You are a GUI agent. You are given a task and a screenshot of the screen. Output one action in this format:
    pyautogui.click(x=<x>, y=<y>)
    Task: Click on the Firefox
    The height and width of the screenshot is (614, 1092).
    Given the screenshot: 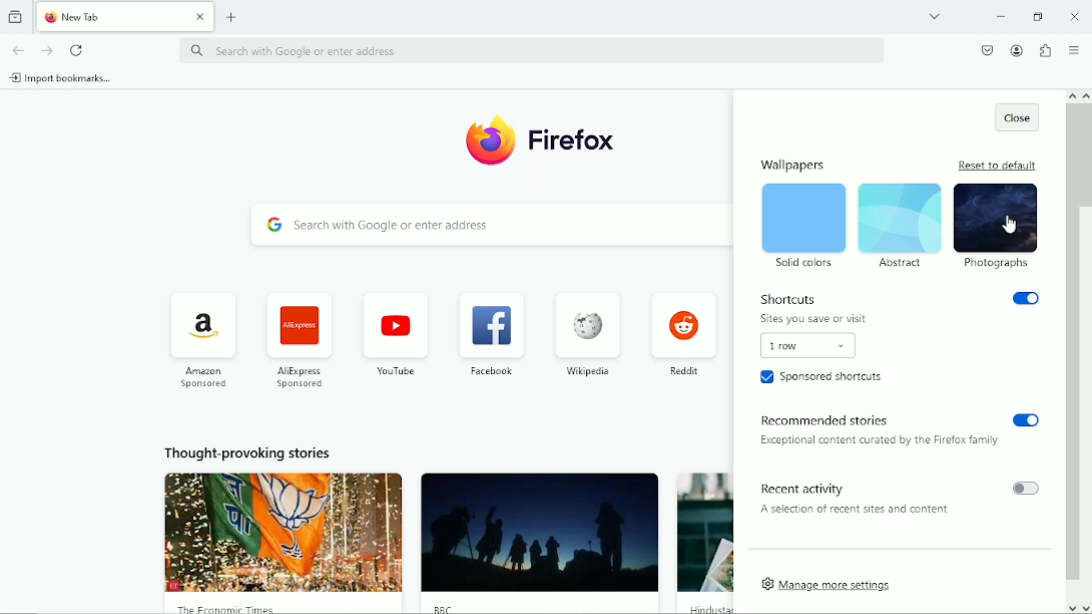 What is the action you would take?
    pyautogui.click(x=573, y=141)
    